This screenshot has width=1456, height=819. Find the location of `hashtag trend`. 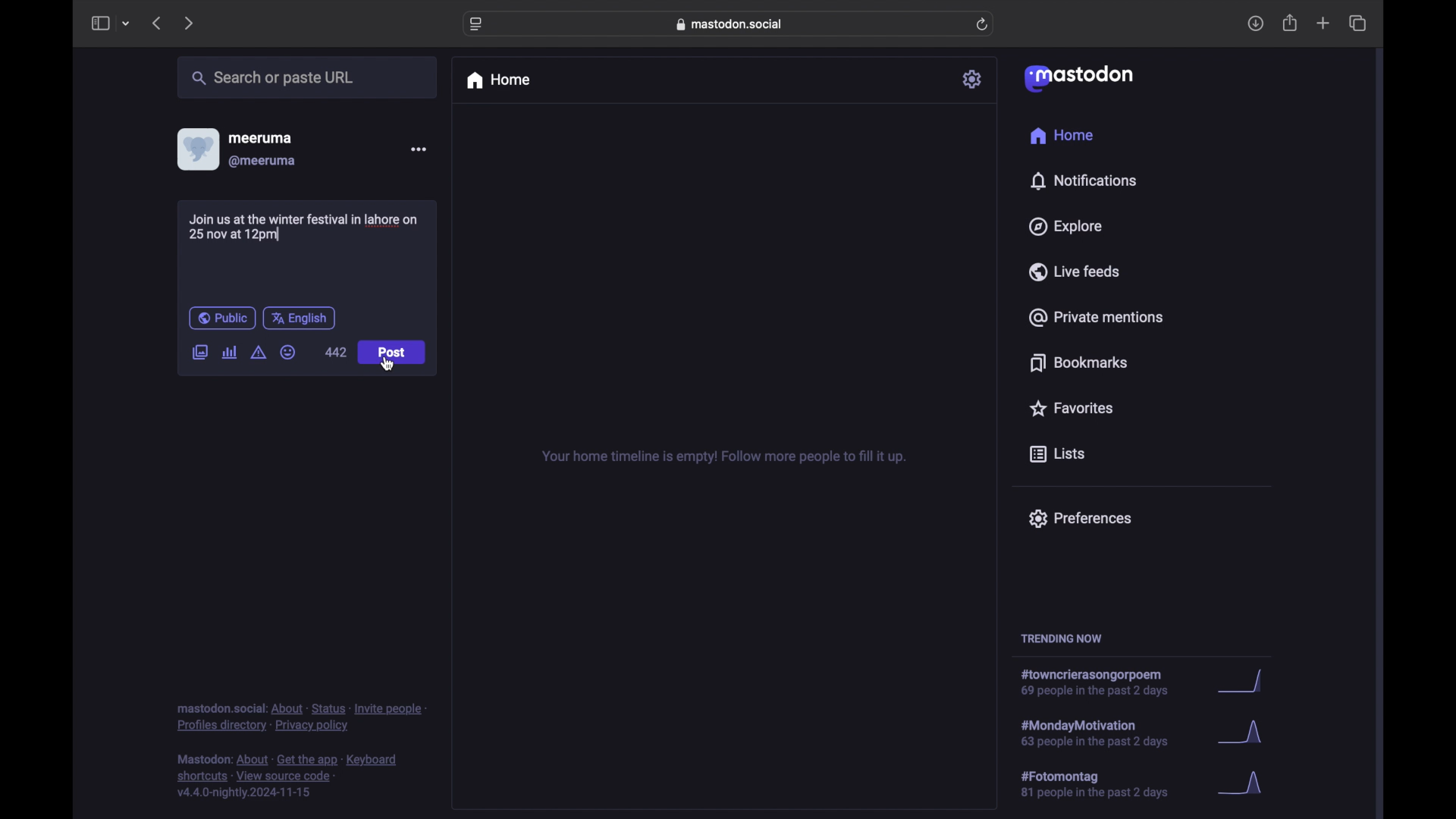

hashtag trend is located at coordinates (1105, 785).